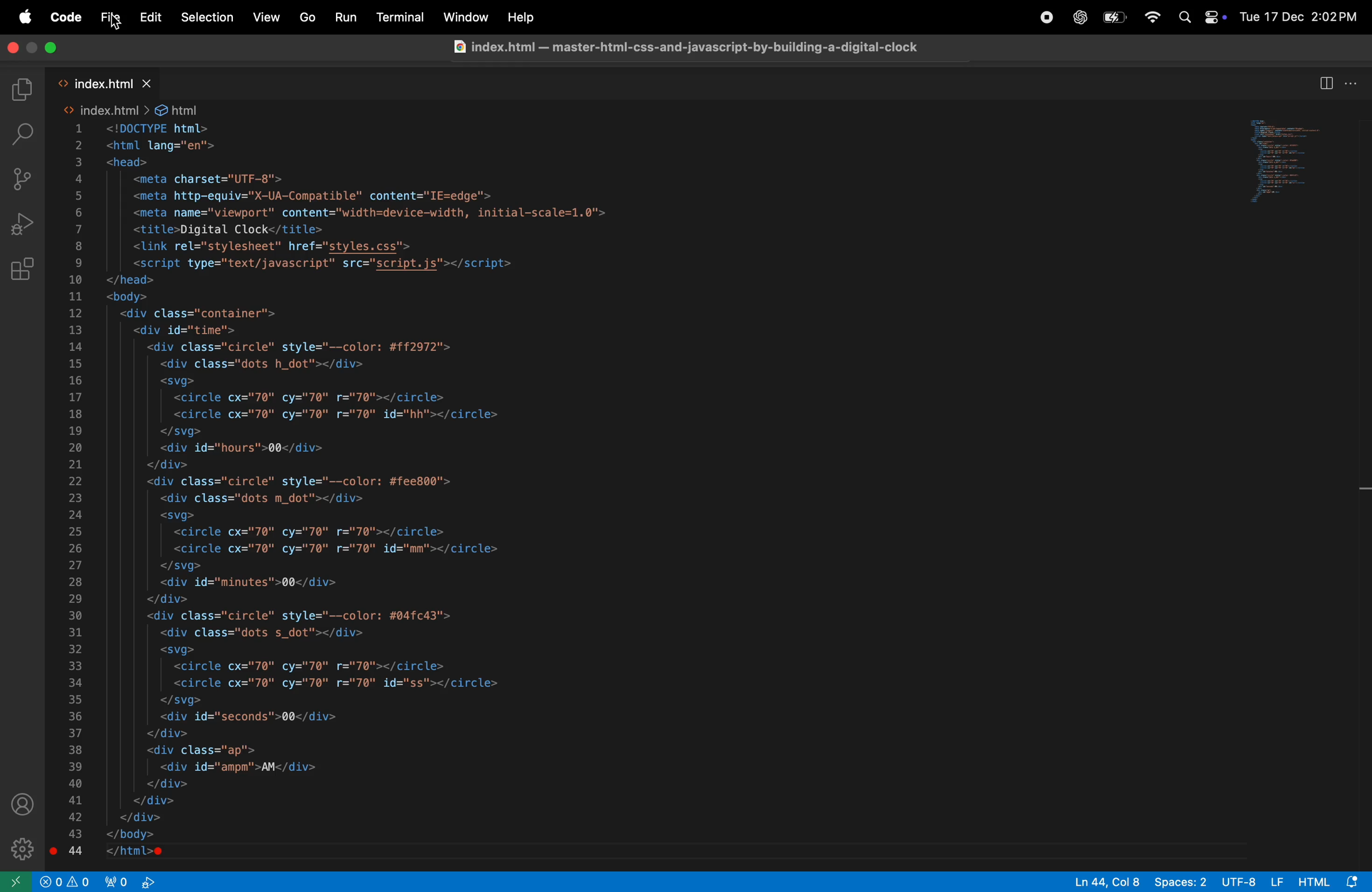 The height and width of the screenshot is (892, 1372). Describe the element at coordinates (16, 881) in the screenshot. I see `open window` at that location.